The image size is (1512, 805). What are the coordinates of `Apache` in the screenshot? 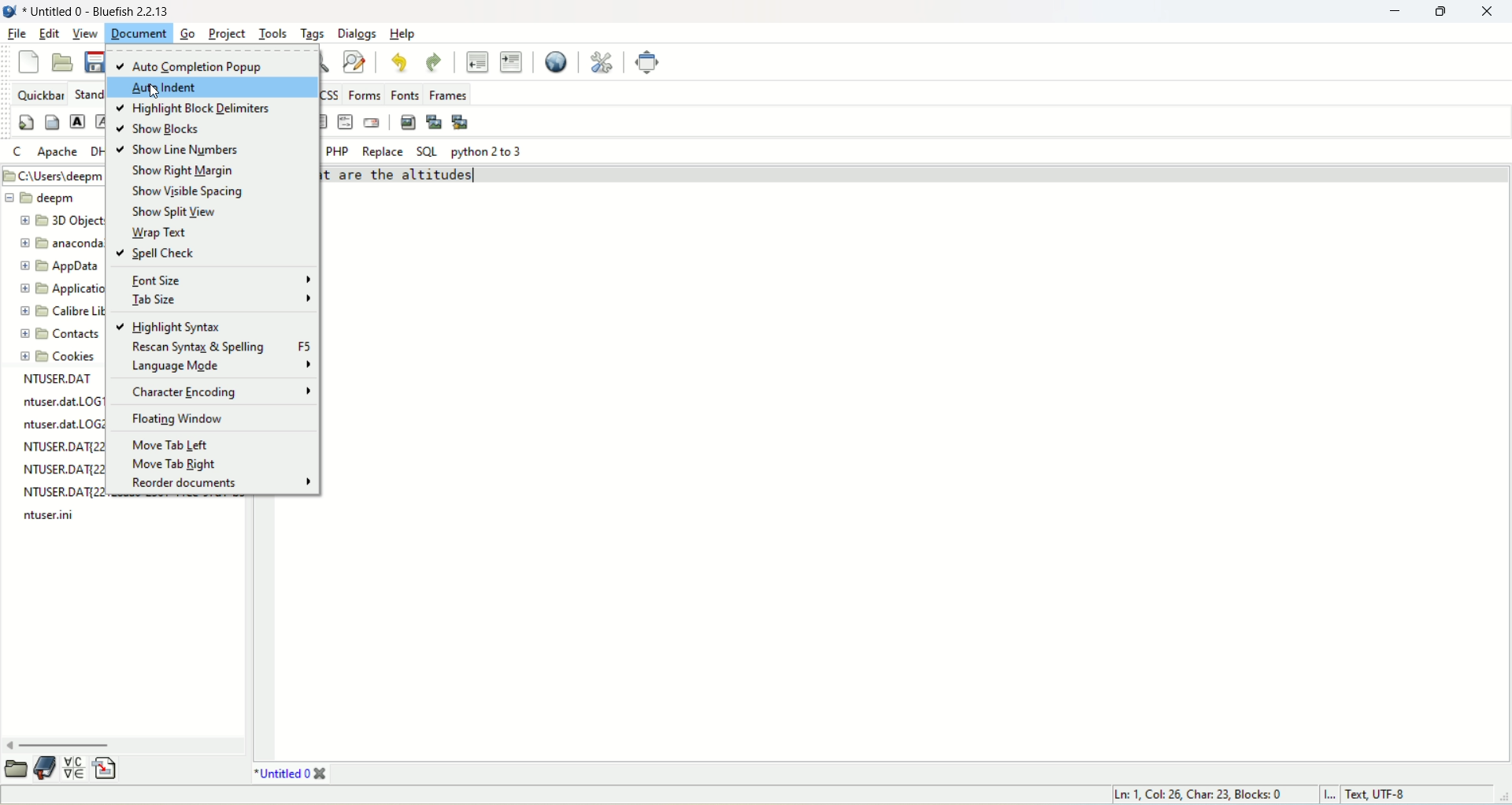 It's located at (59, 151).